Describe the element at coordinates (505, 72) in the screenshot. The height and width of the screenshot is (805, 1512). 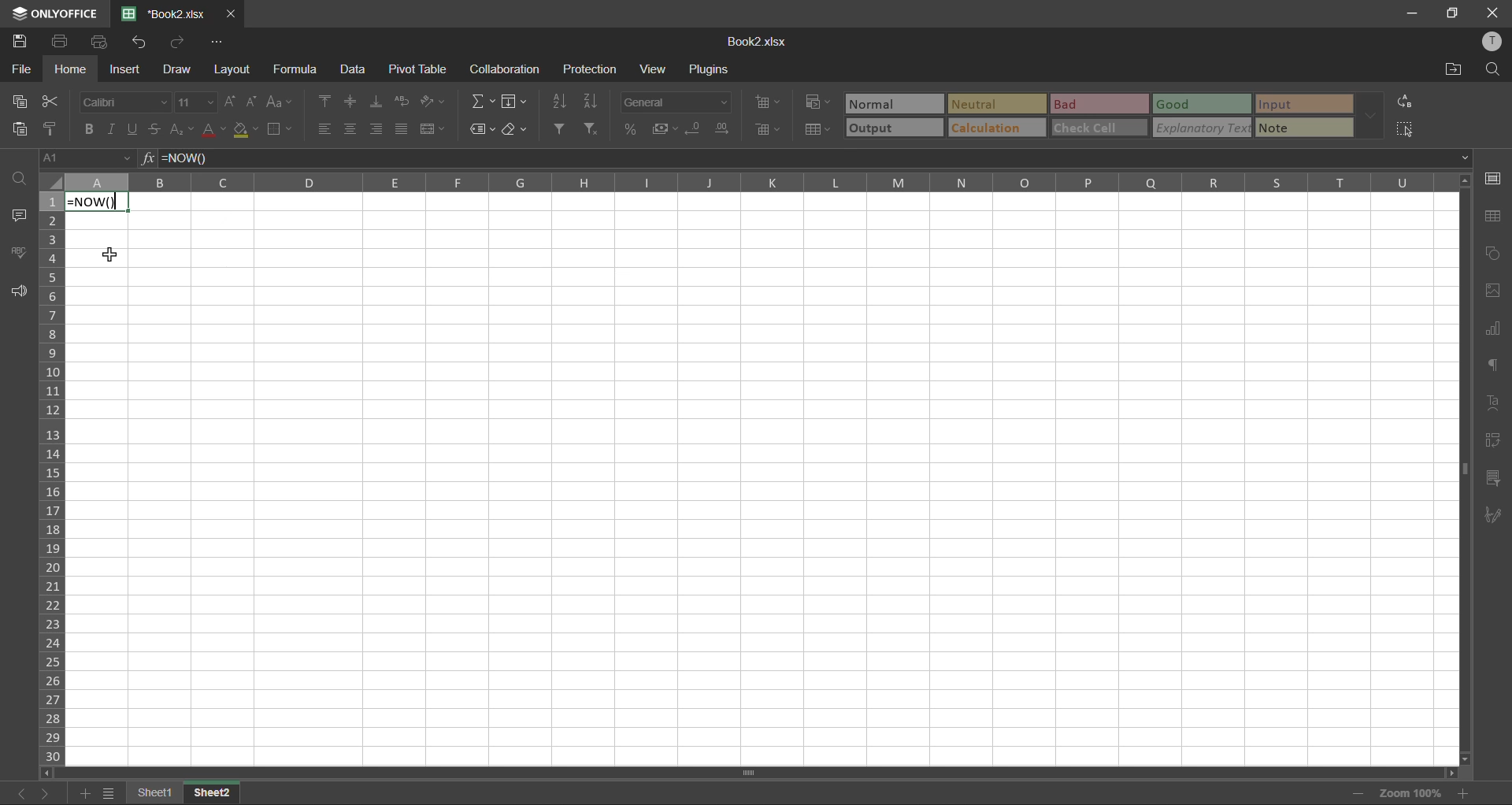
I see `collaboration` at that location.